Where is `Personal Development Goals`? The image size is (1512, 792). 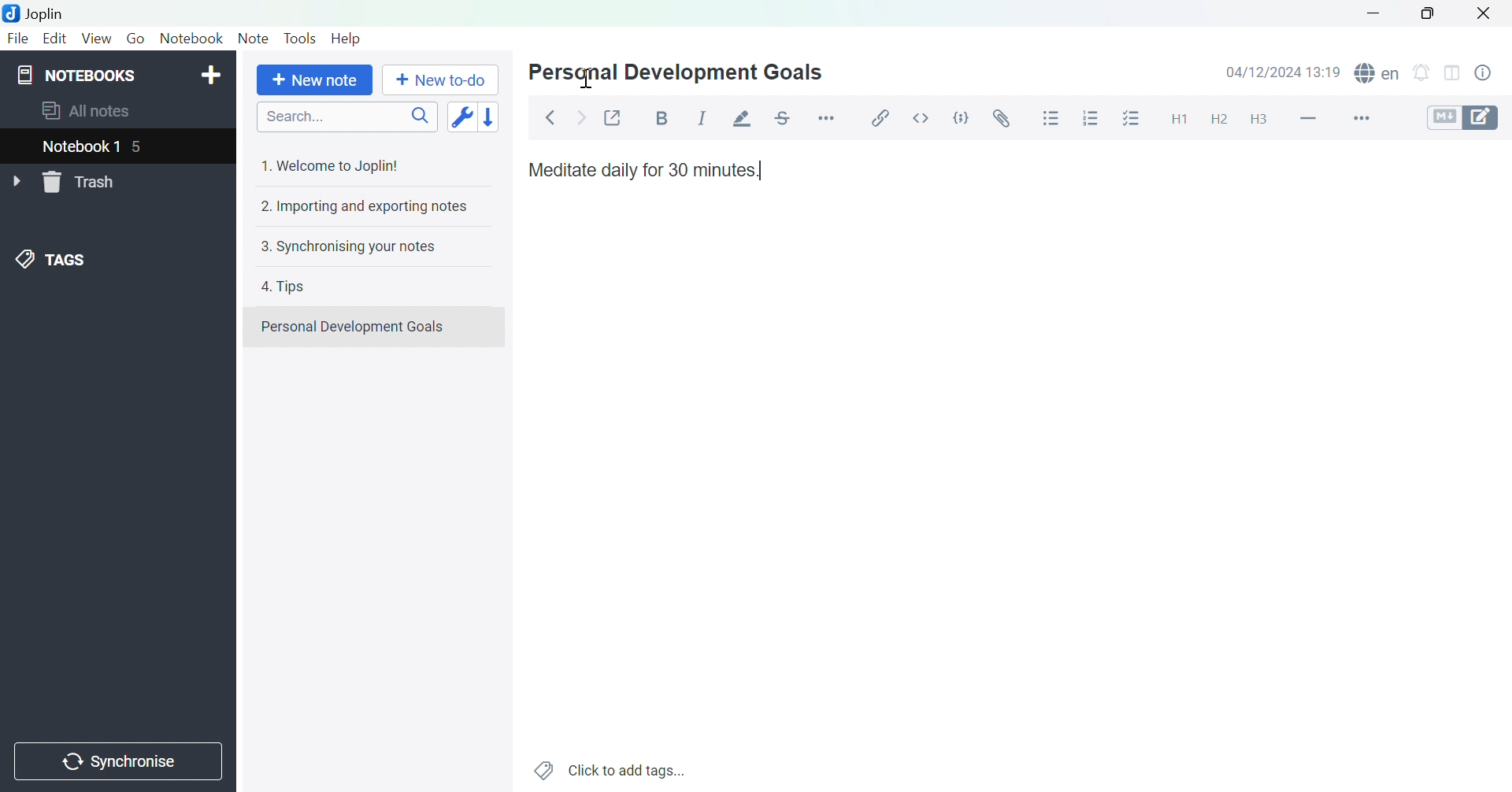 Personal Development Goals is located at coordinates (684, 72).